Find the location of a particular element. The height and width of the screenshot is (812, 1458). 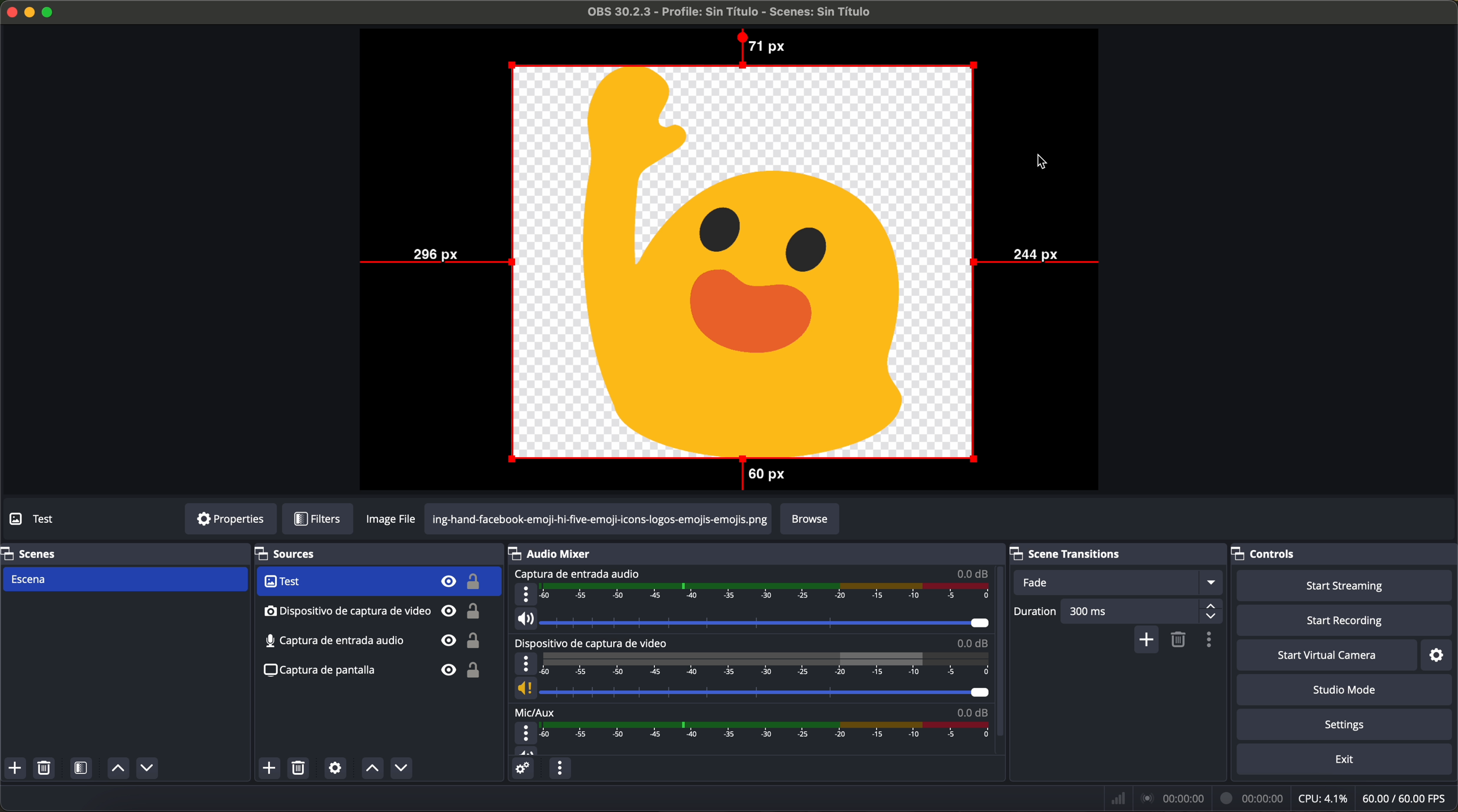

duration is located at coordinates (1036, 613).